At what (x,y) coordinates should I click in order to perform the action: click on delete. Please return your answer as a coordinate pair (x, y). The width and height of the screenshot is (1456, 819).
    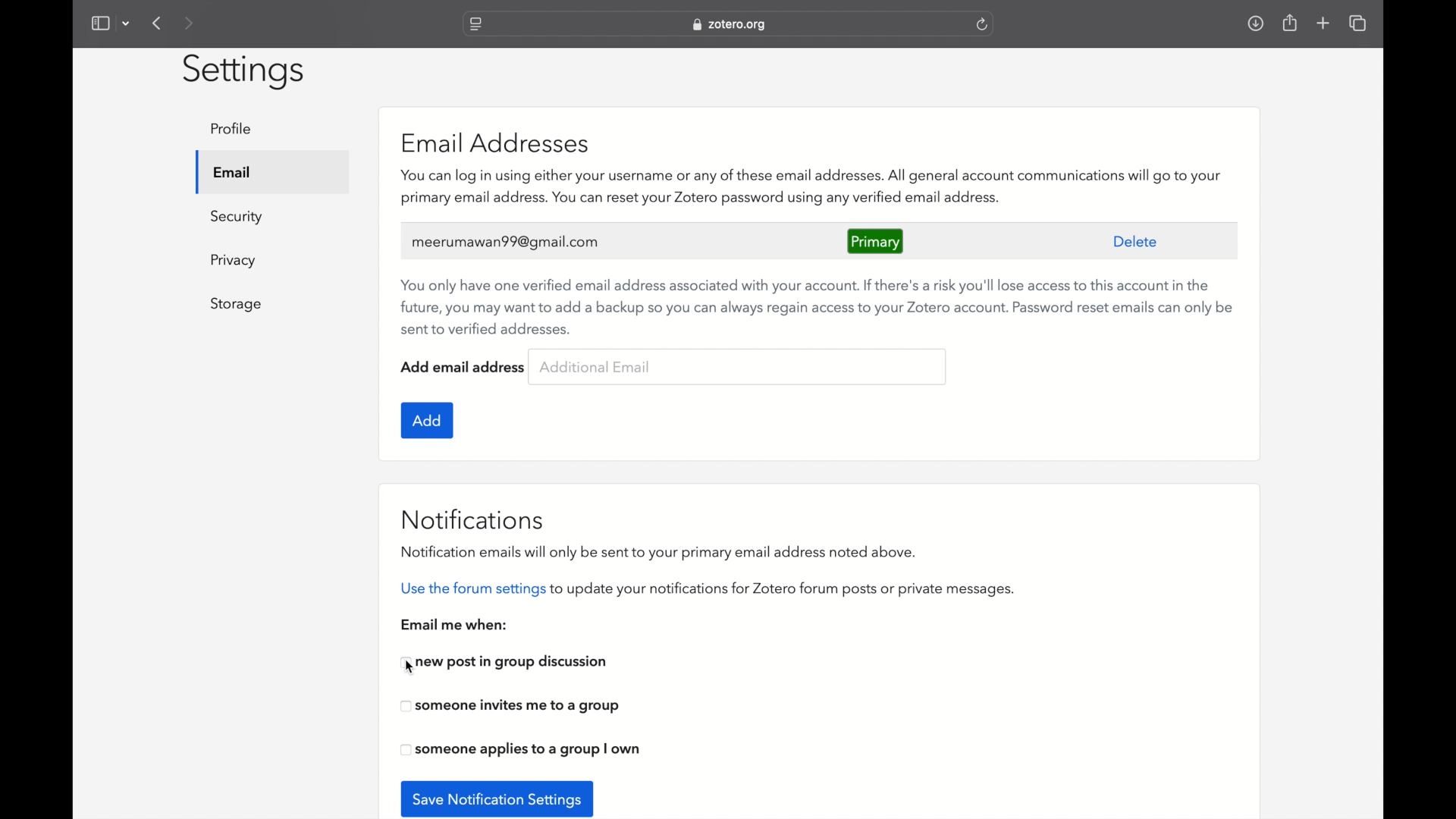
    Looking at the image, I should click on (1134, 240).